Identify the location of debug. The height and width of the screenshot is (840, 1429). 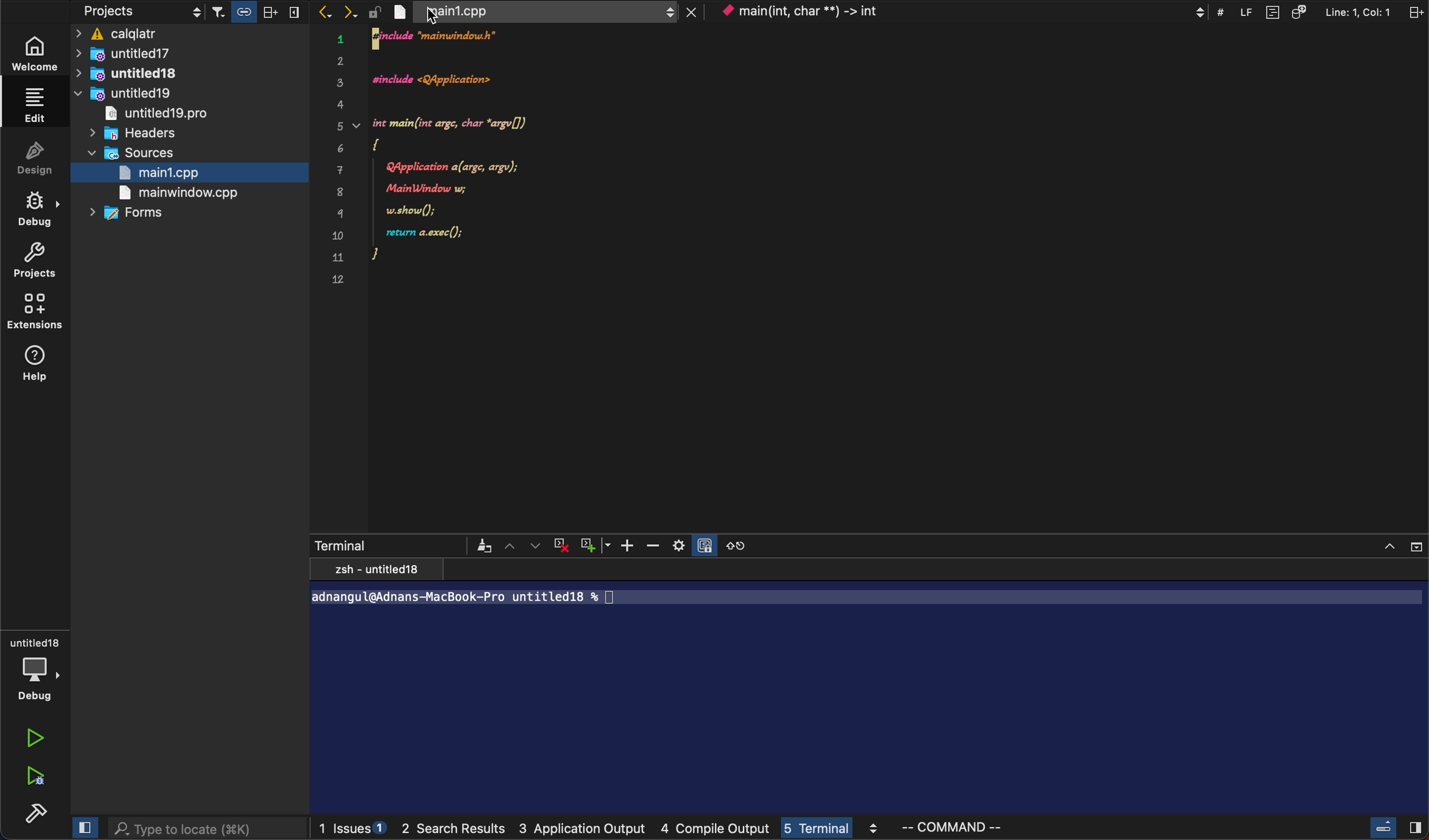
(34, 667).